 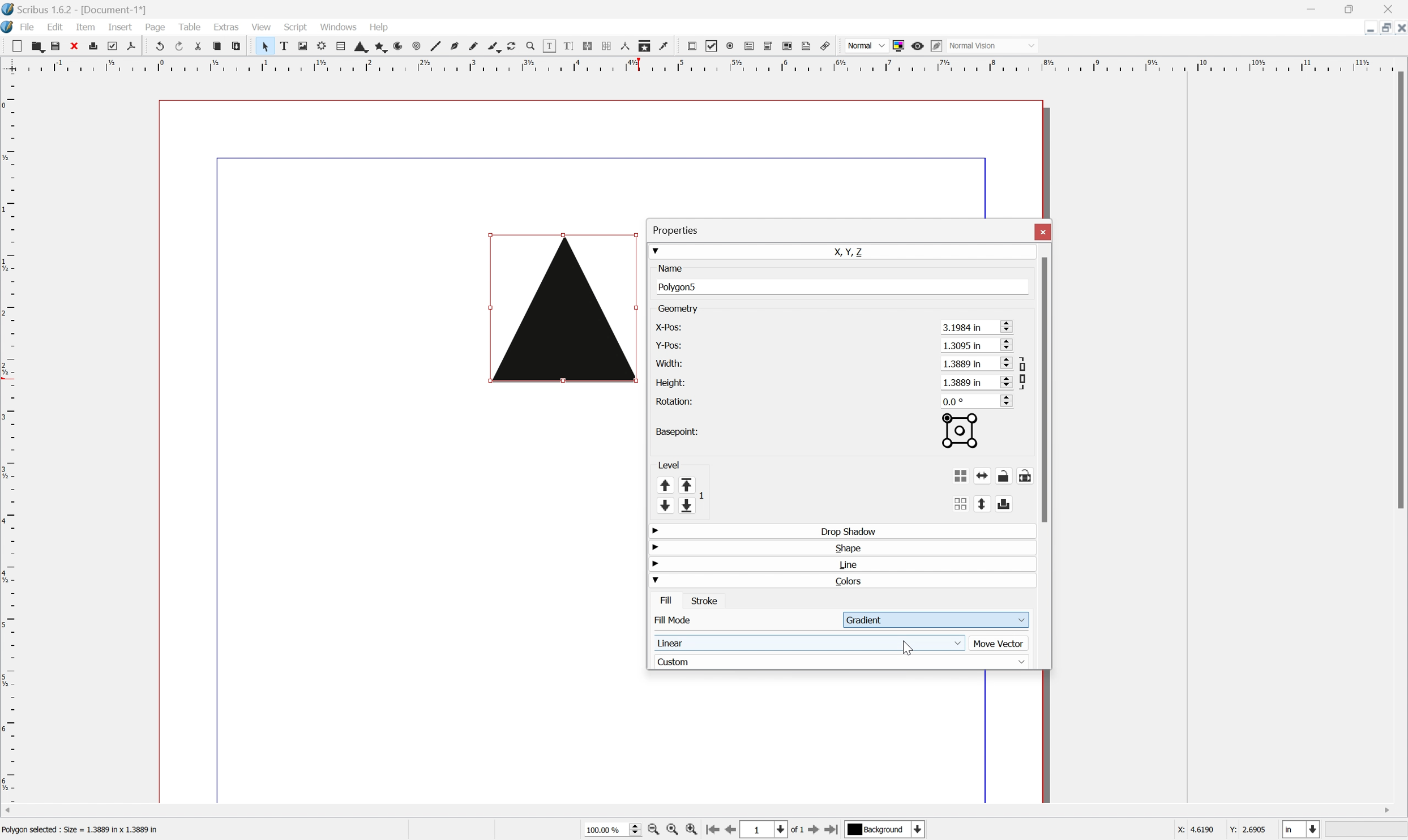 What do you see at coordinates (807, 46) in the screenshot?
I see `Text annotation` at bounding box center [807, 46].